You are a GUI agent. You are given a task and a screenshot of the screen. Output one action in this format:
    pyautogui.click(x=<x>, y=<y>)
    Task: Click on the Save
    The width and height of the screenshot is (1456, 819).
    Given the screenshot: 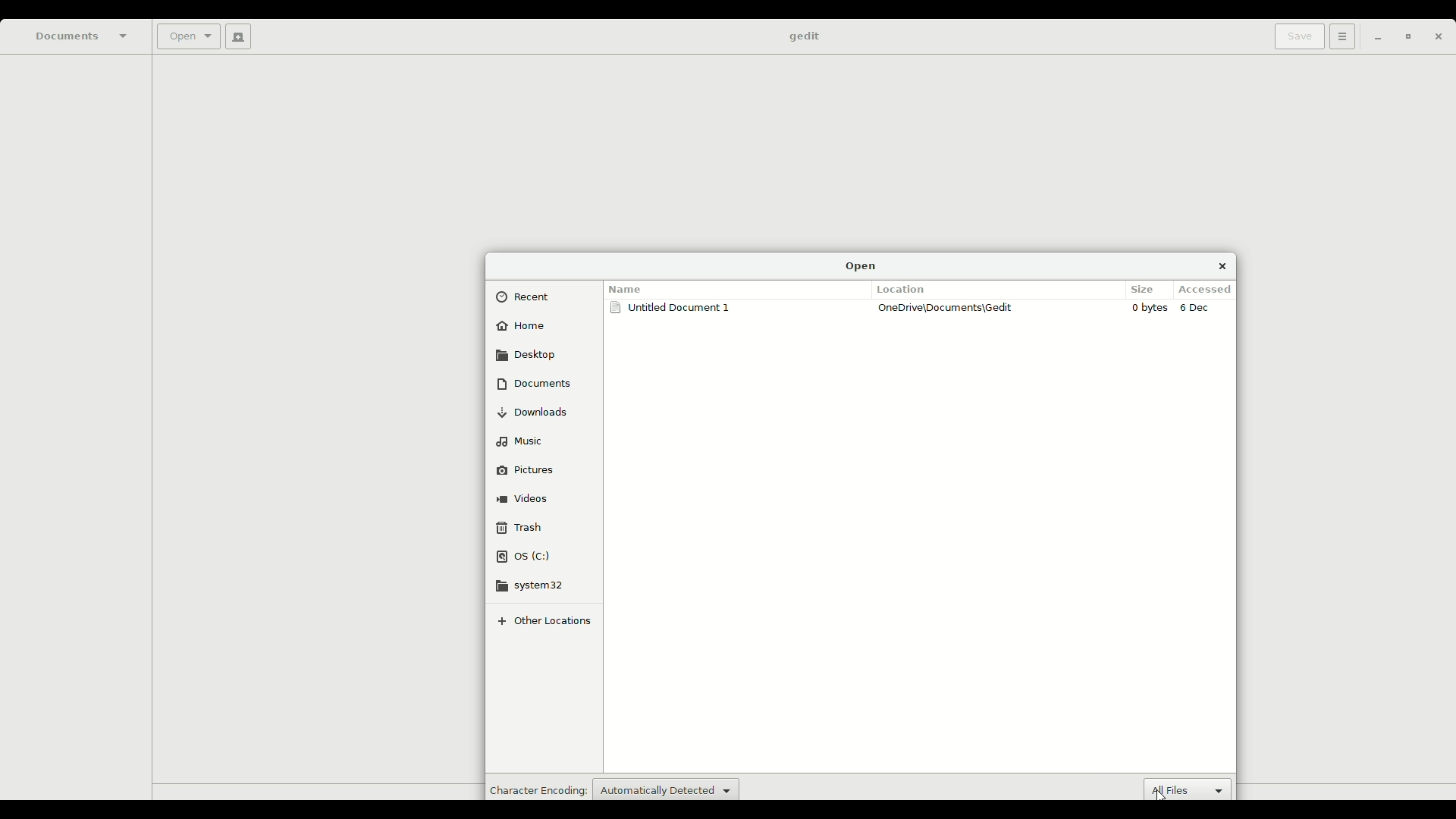 What is the action you would take?
    pyautogui.click(x=1296, y=36)
    